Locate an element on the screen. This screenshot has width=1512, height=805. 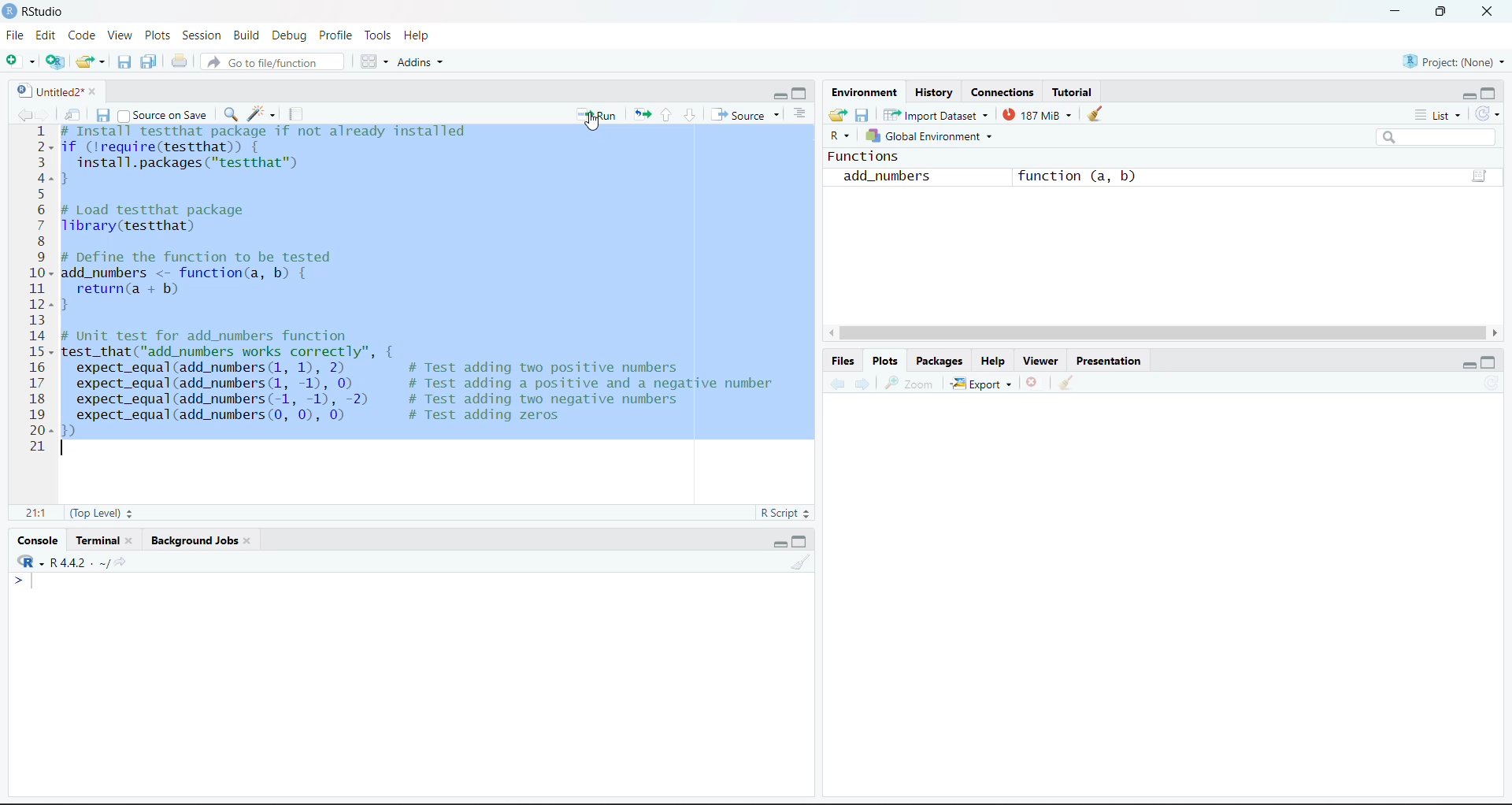
text cursor is located at coordinates (65, 449).